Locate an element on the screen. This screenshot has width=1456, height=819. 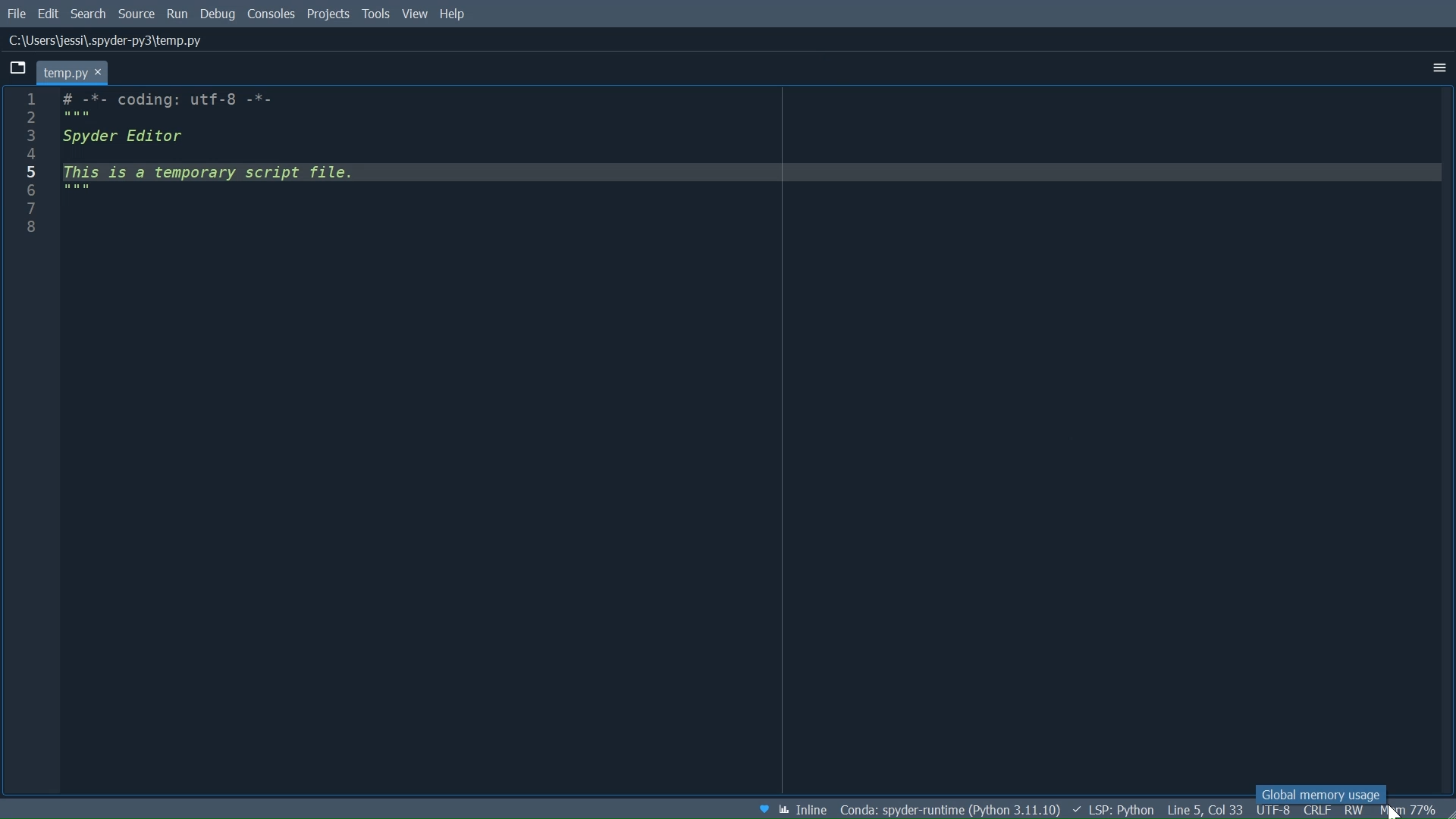
More Options is located at coordinates (1439, 67).